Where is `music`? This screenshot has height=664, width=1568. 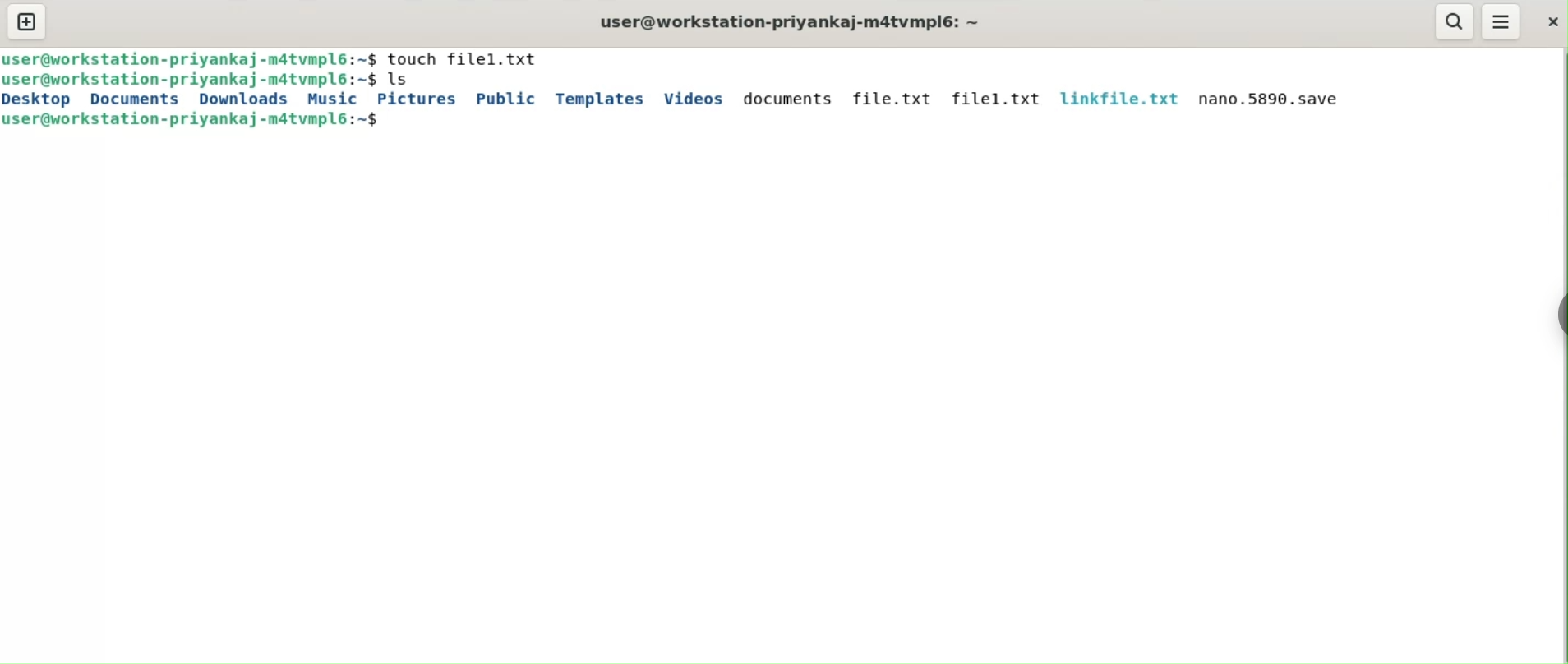 music is located at coordinates (333, 99).